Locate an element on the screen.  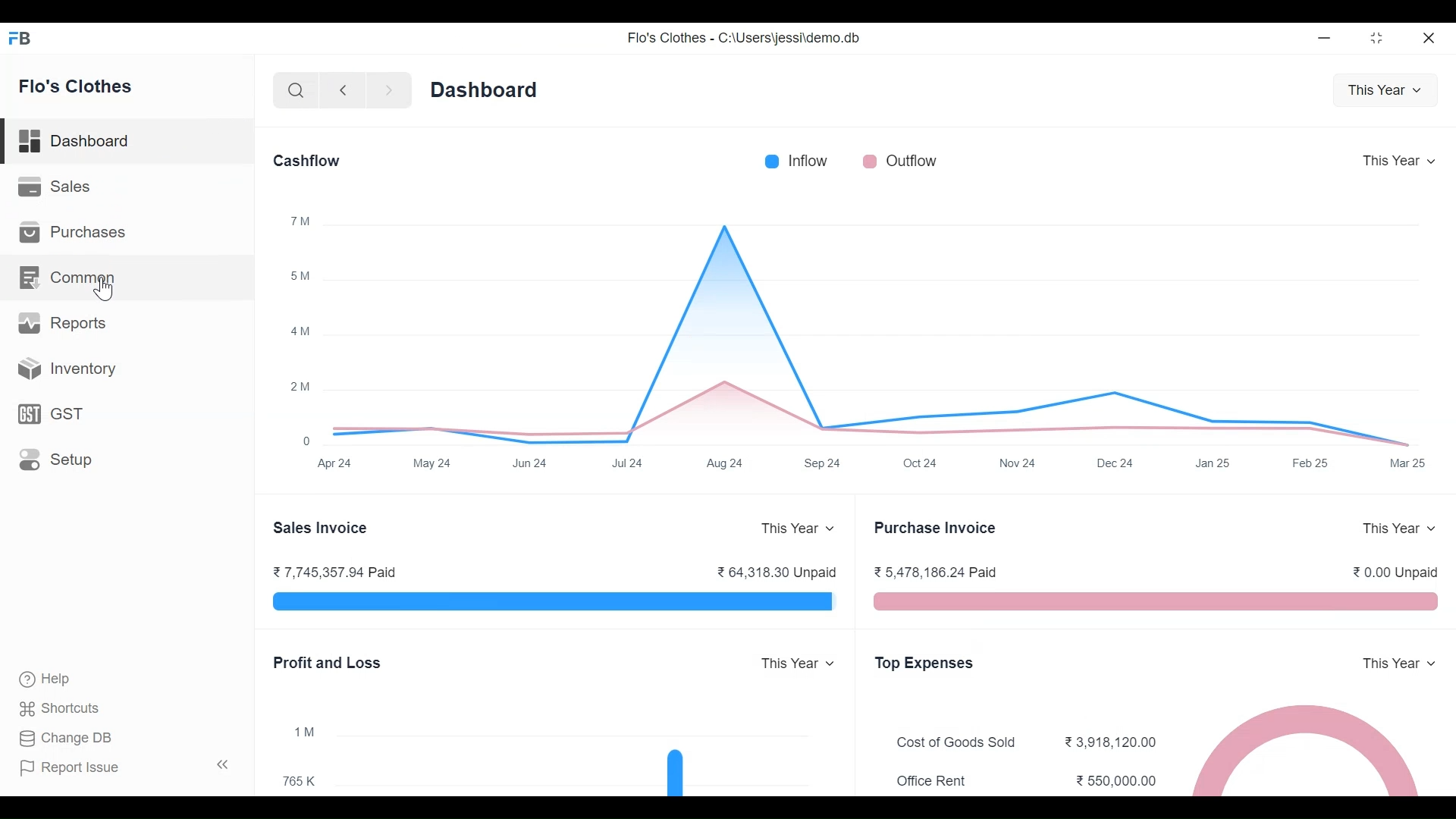
This Year is located at coordinates (1397, 160).